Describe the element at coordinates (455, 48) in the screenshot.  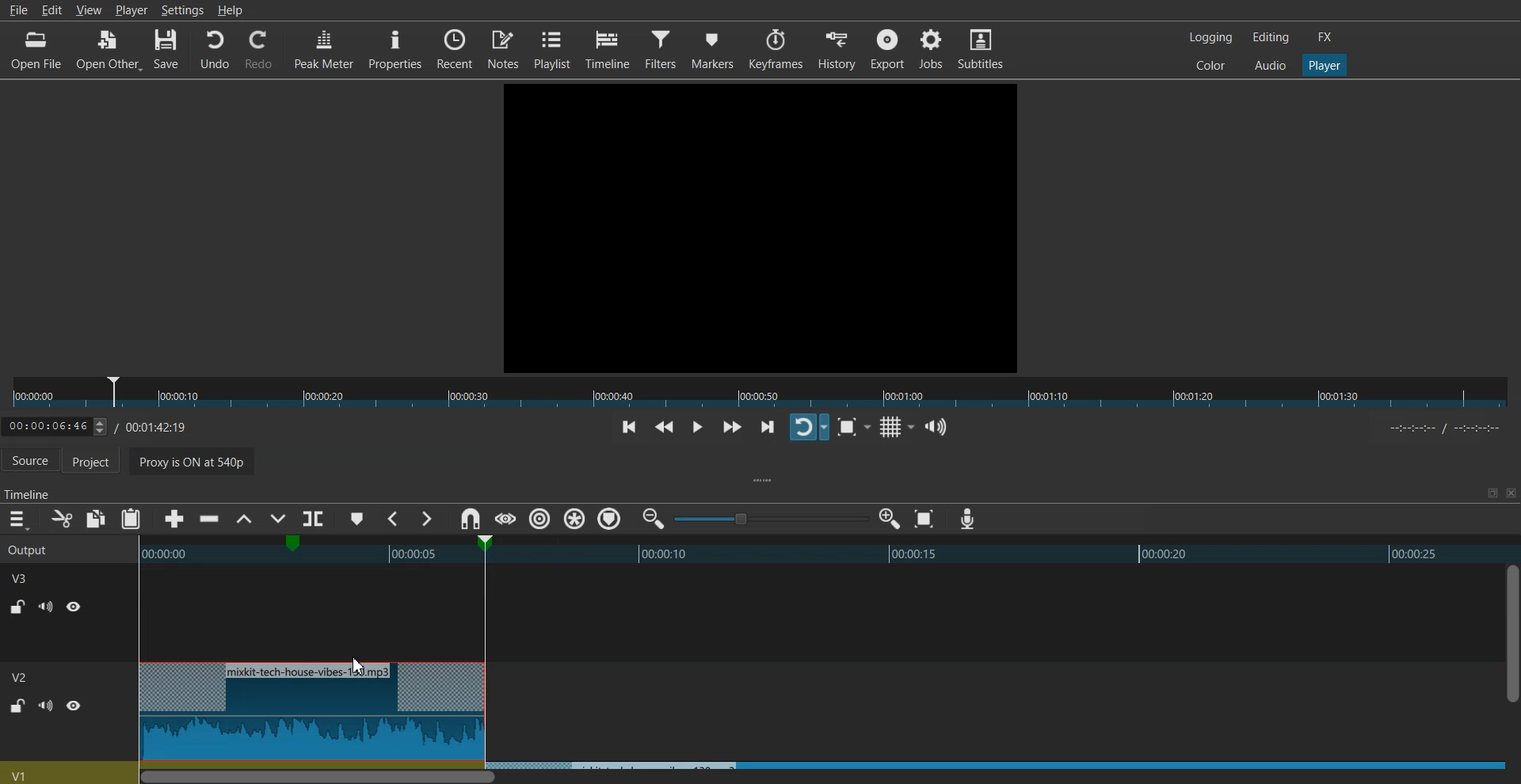
I see `Recent` at that location.